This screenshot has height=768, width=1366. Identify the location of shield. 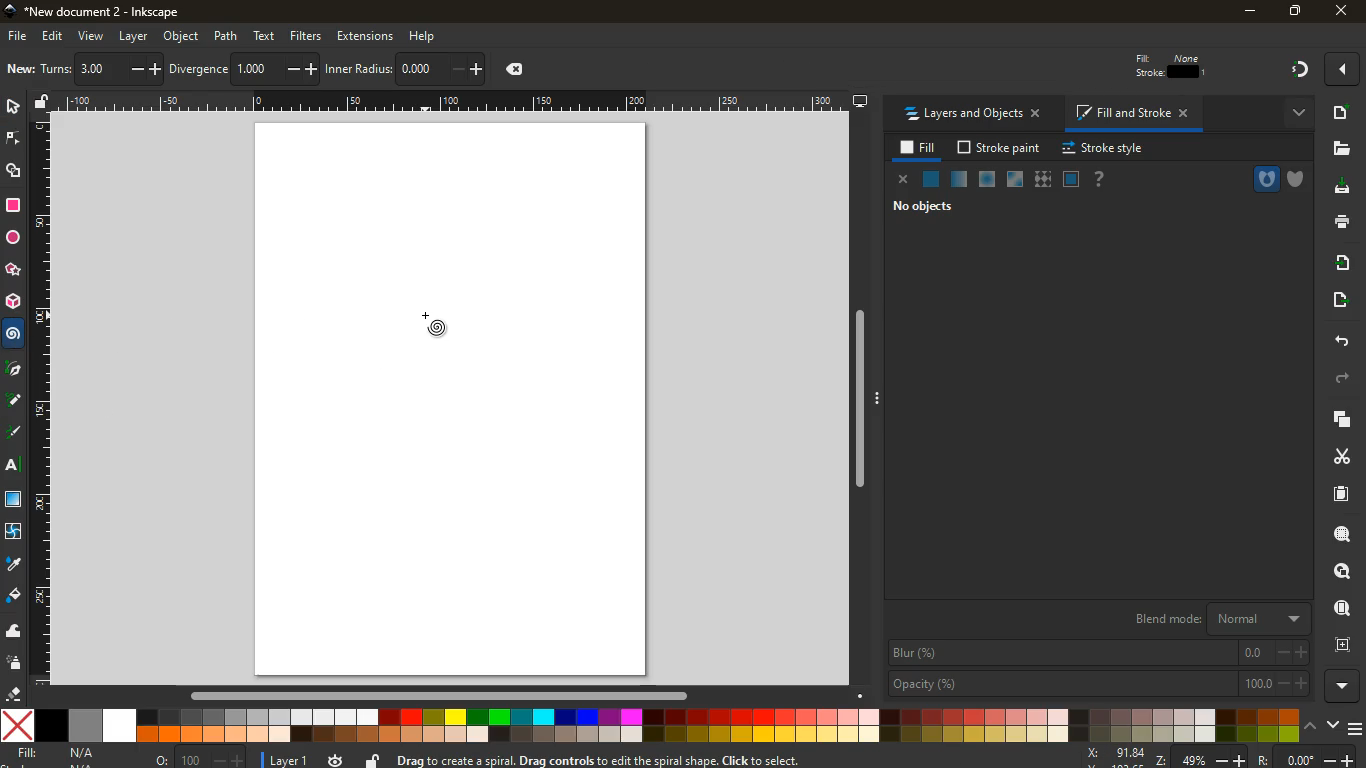
(1299, 179).